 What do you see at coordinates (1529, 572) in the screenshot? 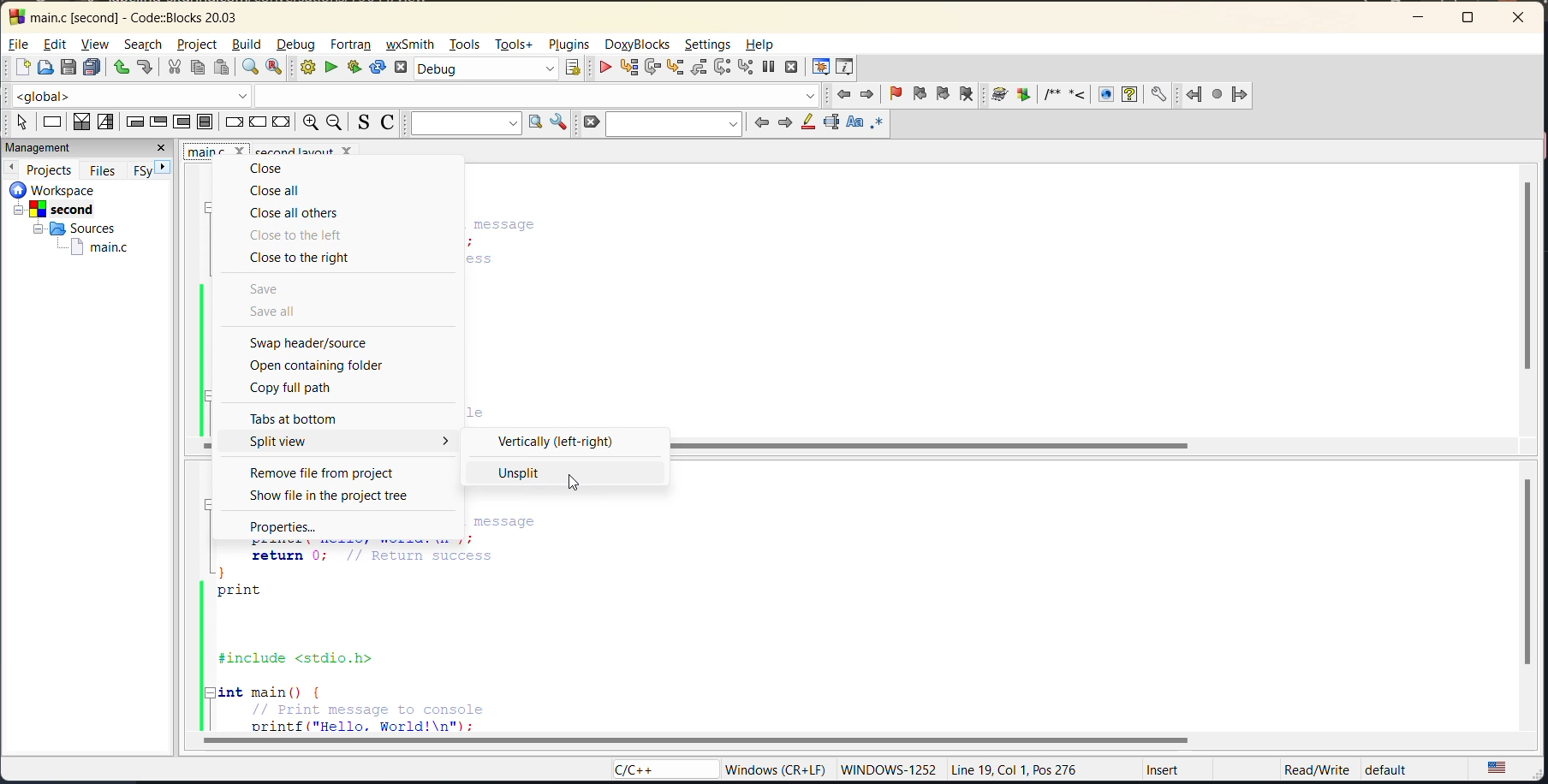
I see `vertical scroll bar` at bounding box center [1529, 572].